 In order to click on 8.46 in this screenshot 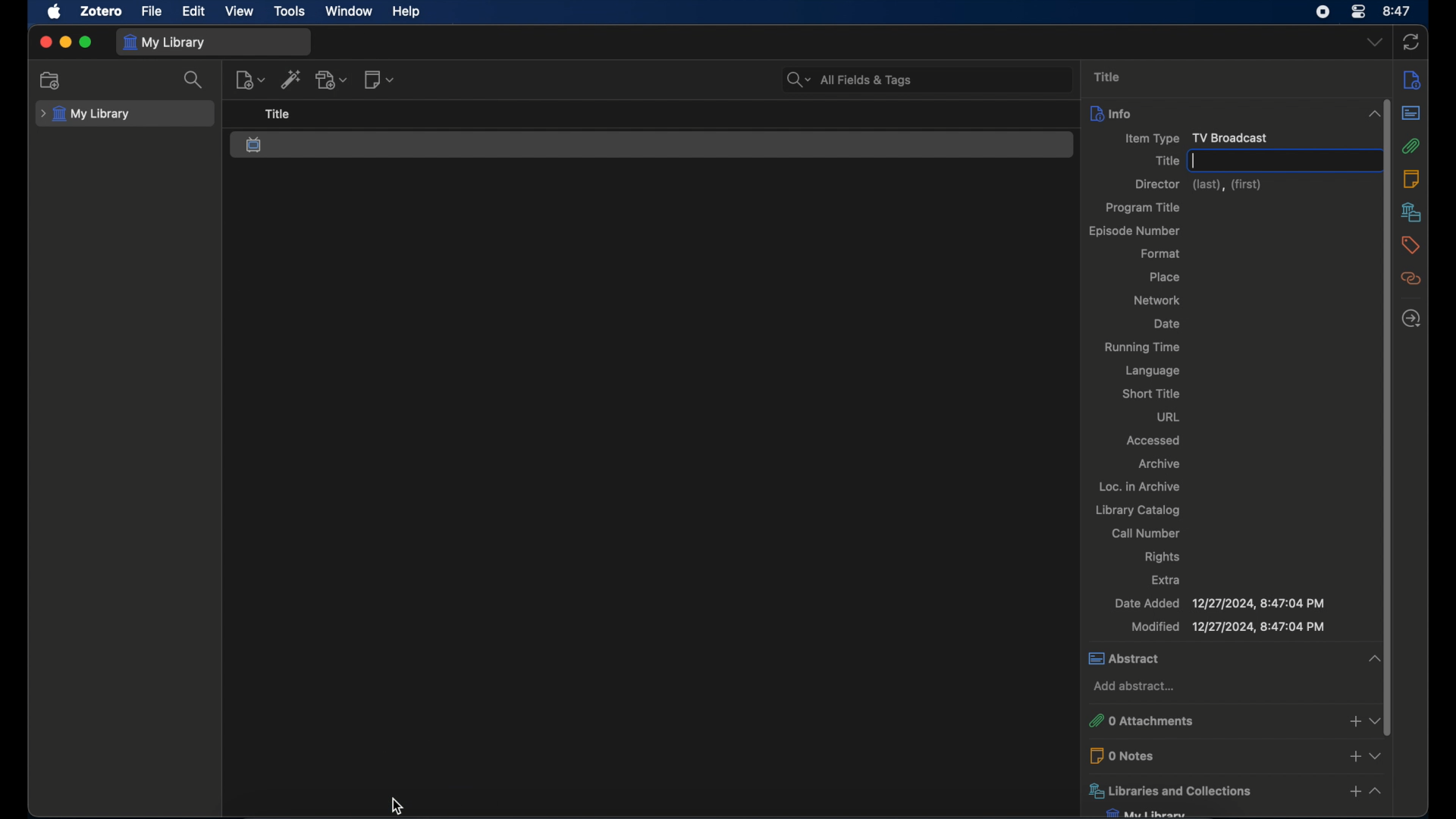, I will do `click(1398, 11)`.